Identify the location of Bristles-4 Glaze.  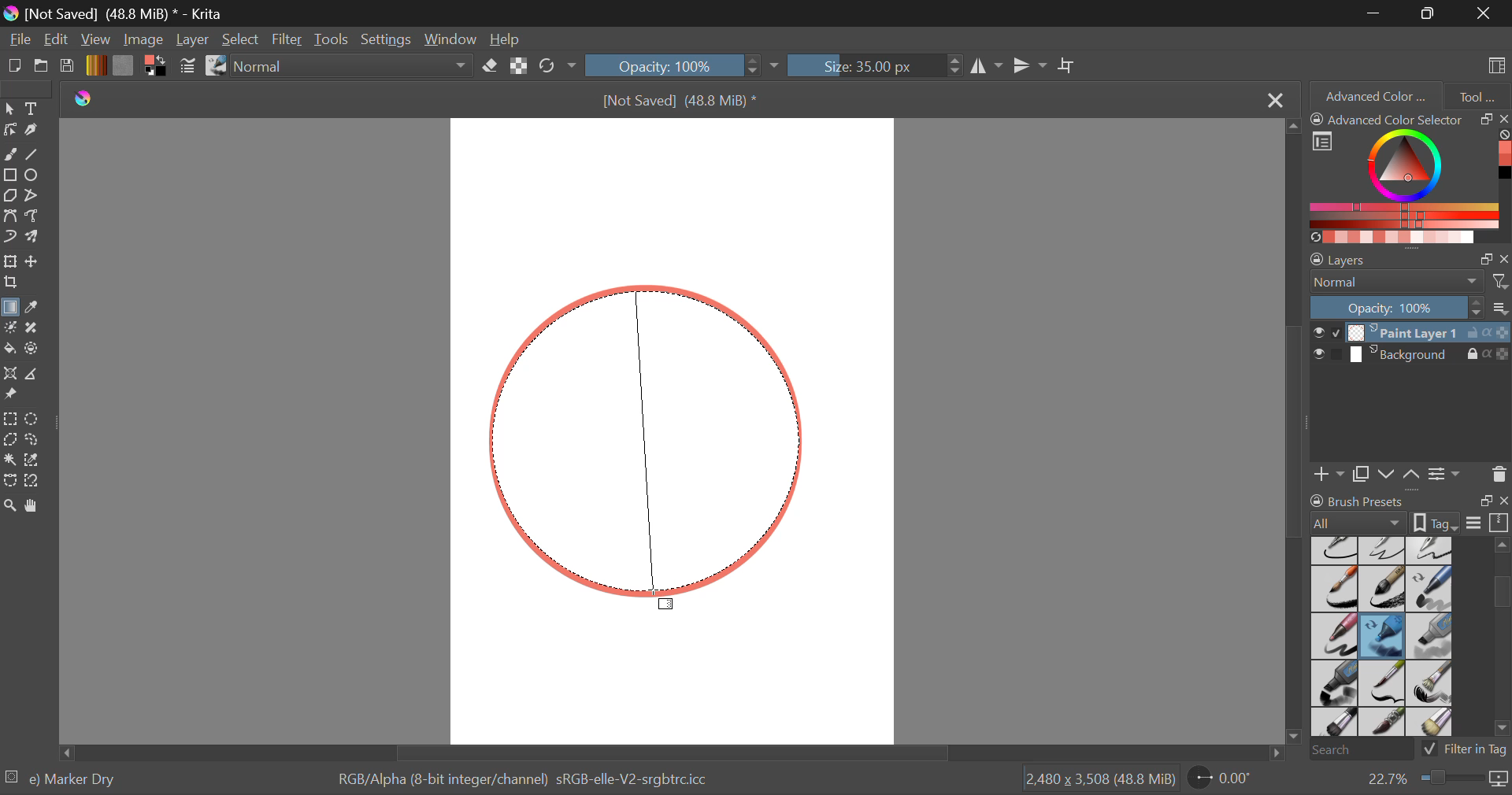
(1384, 723).